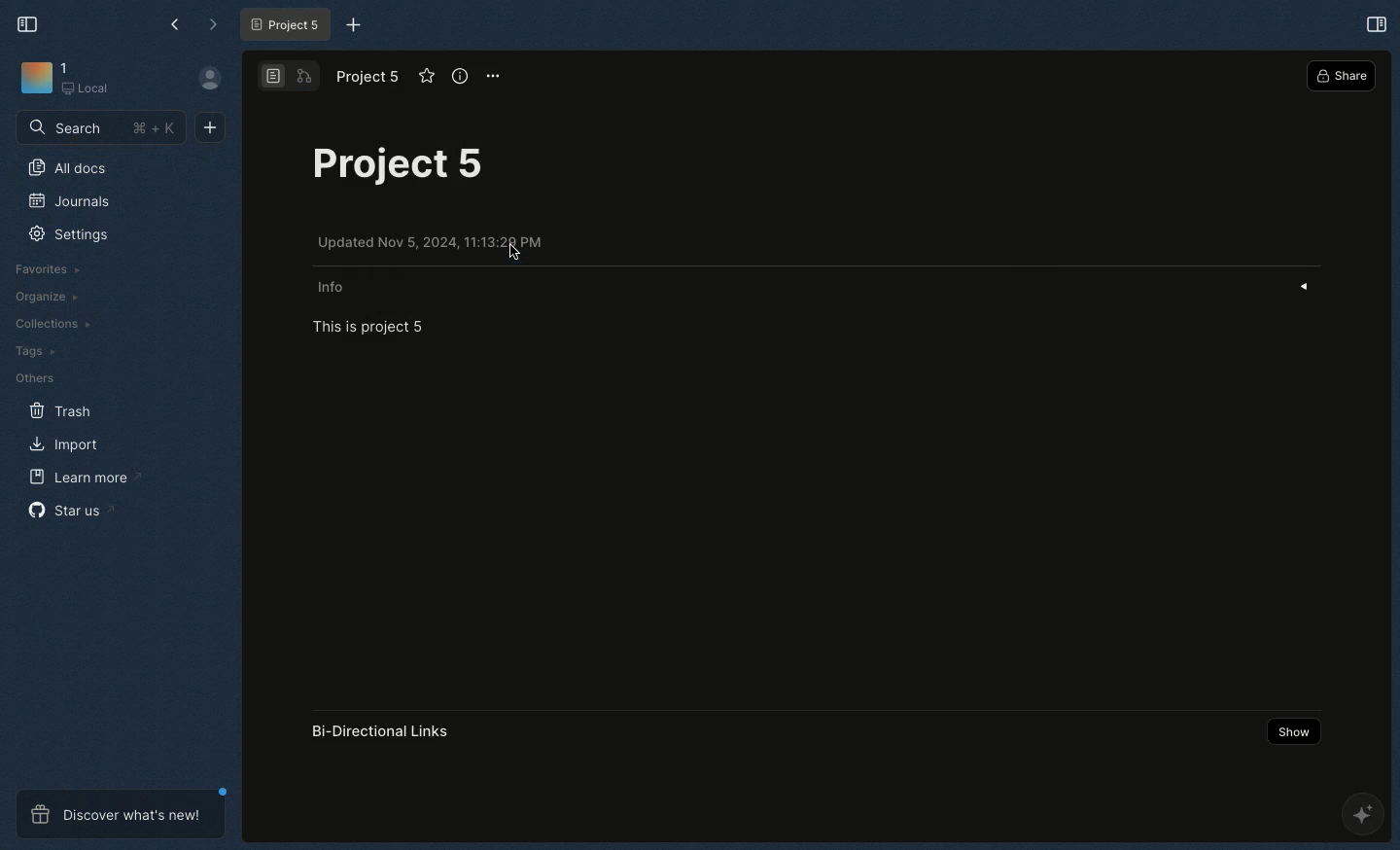 This screenshot has height=850, width=1400. Describe the element at coordinates (37, 350) in the screenshot. I see `Tags` at that location.